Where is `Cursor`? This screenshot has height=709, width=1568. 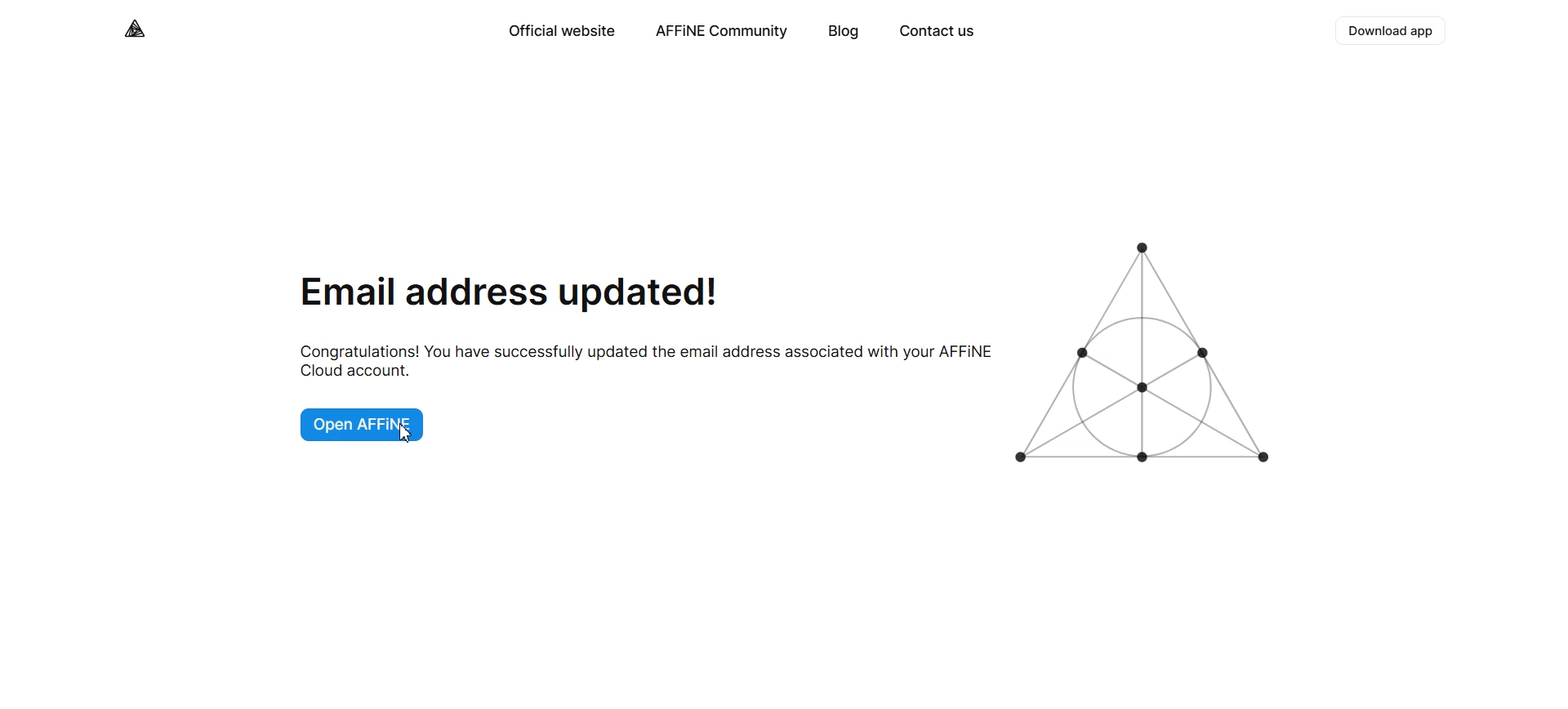 Cursor is located at coordinates (408, 433).